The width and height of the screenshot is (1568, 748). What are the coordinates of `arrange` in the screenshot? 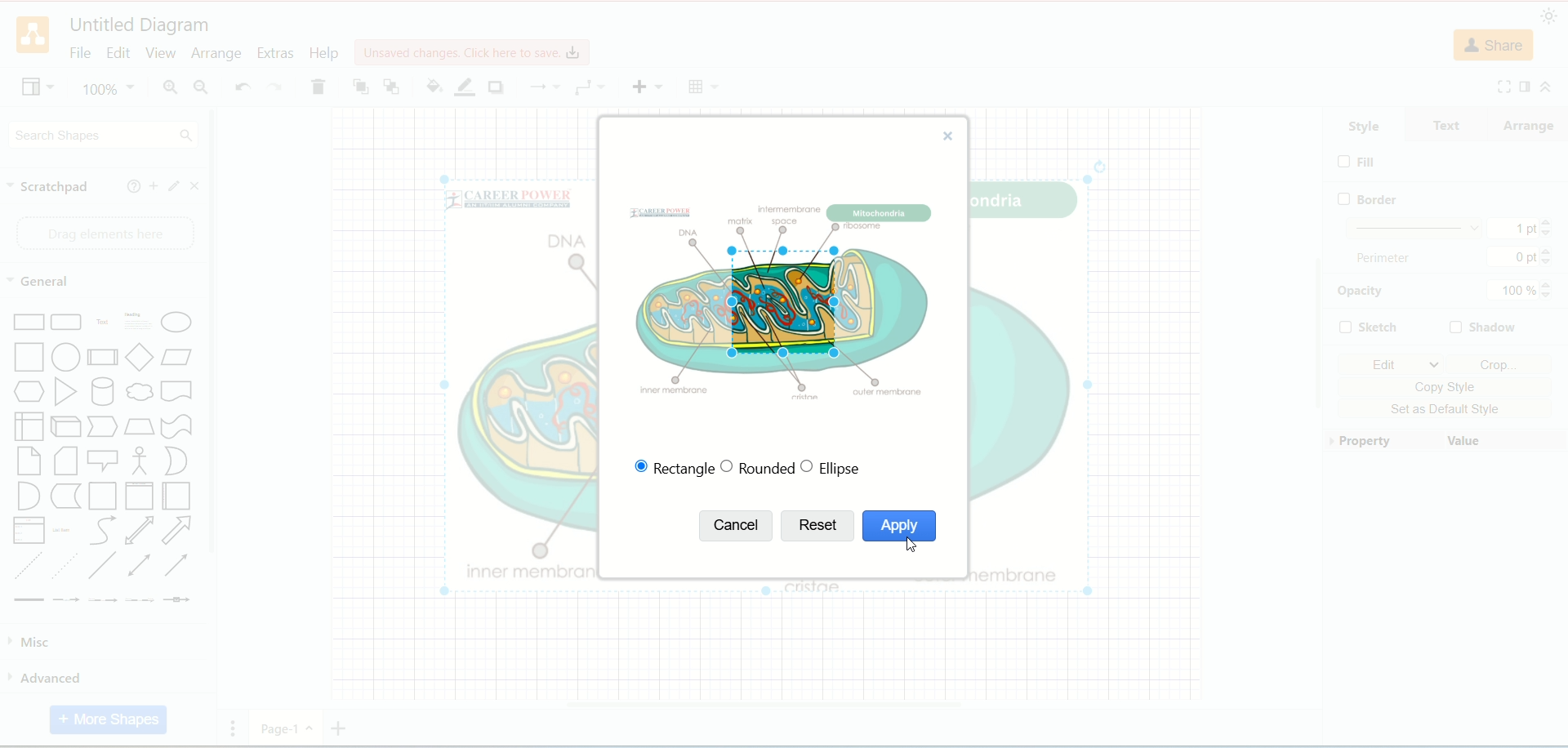 It's located at (216, 55).